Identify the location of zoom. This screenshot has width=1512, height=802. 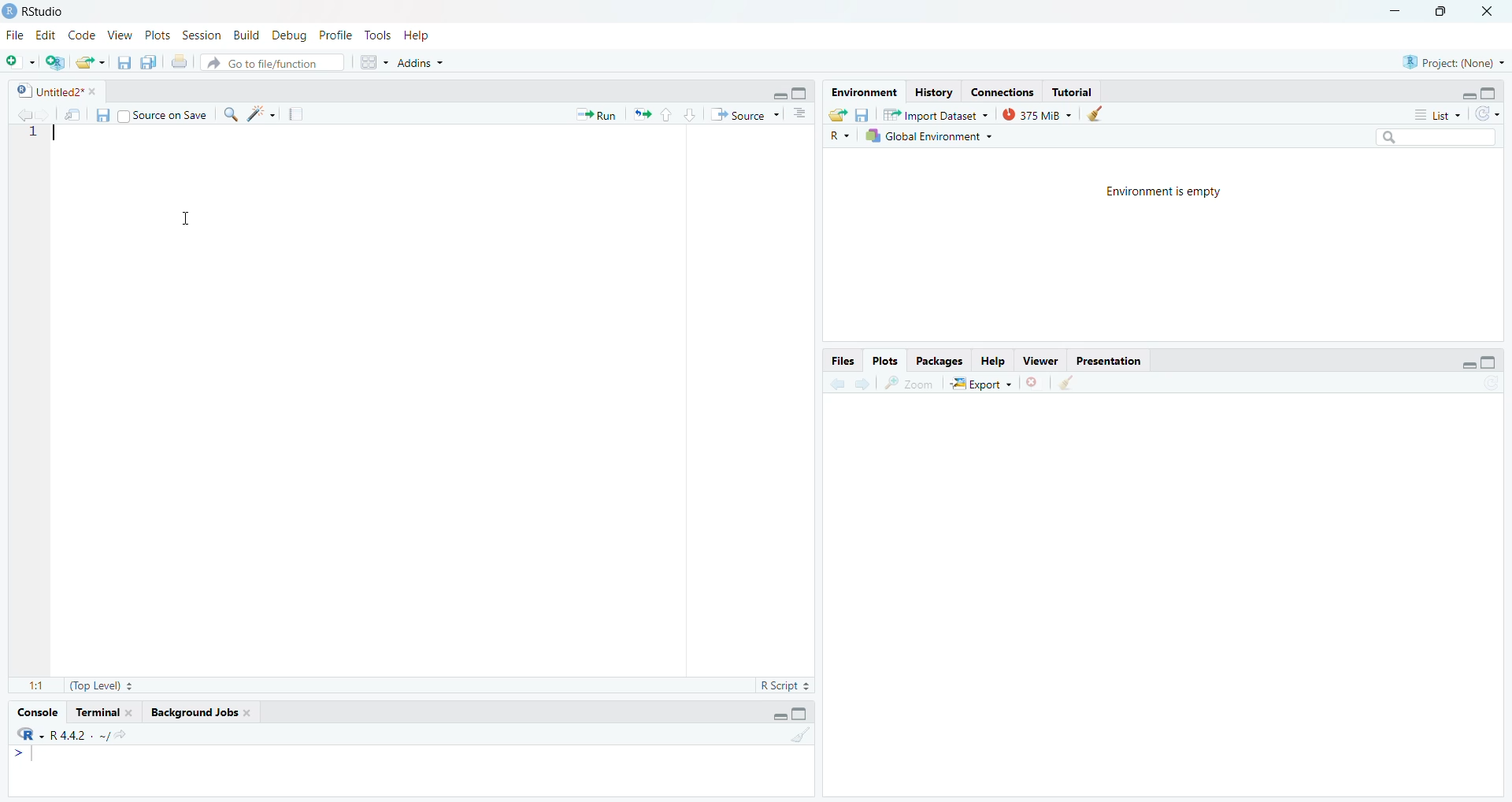
(910, 383).